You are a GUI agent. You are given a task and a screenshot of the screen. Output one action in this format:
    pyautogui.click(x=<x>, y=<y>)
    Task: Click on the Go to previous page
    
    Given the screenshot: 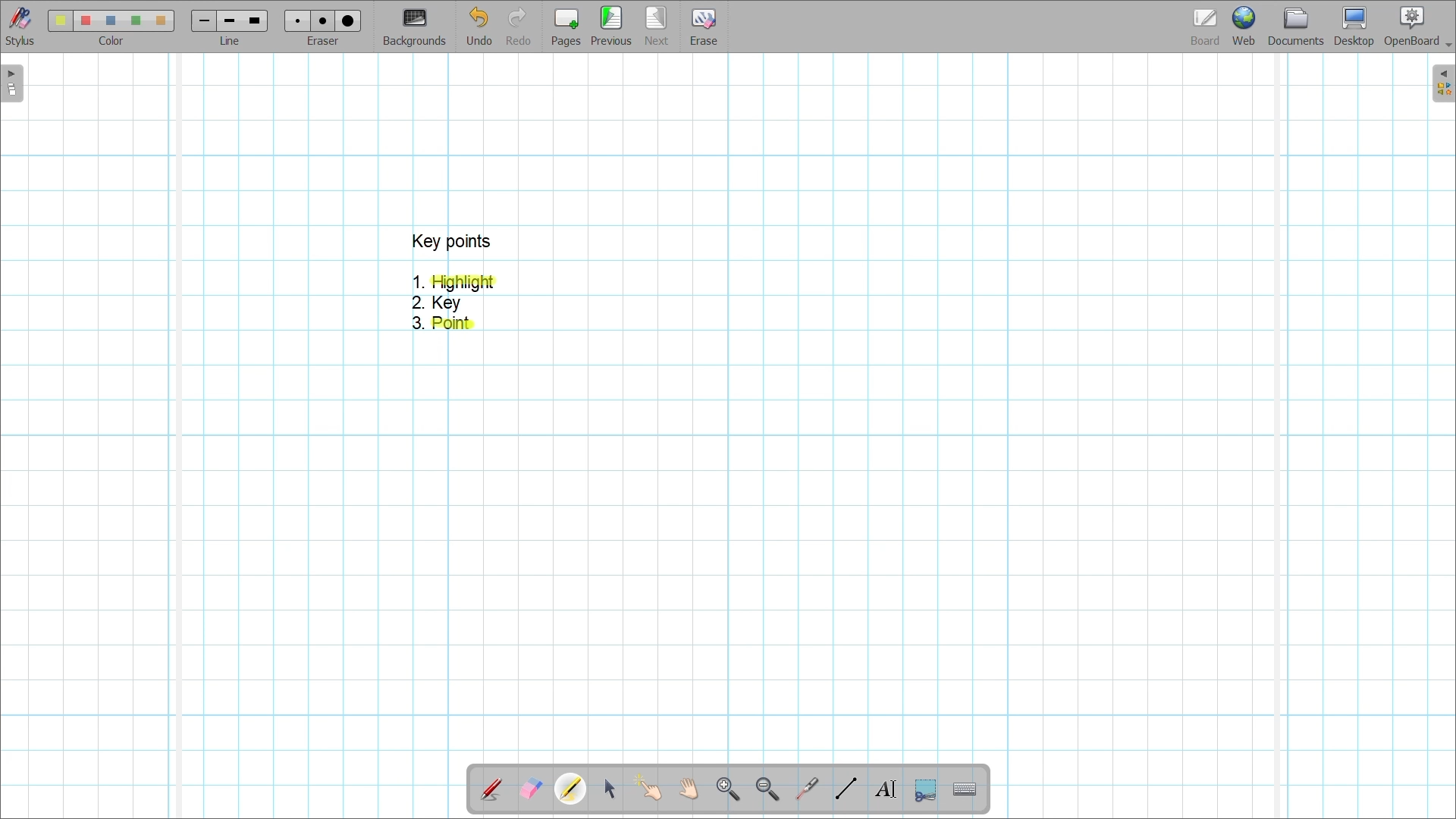 What is the action you would take?
    pyautogui.click(x=611, y=26)
    